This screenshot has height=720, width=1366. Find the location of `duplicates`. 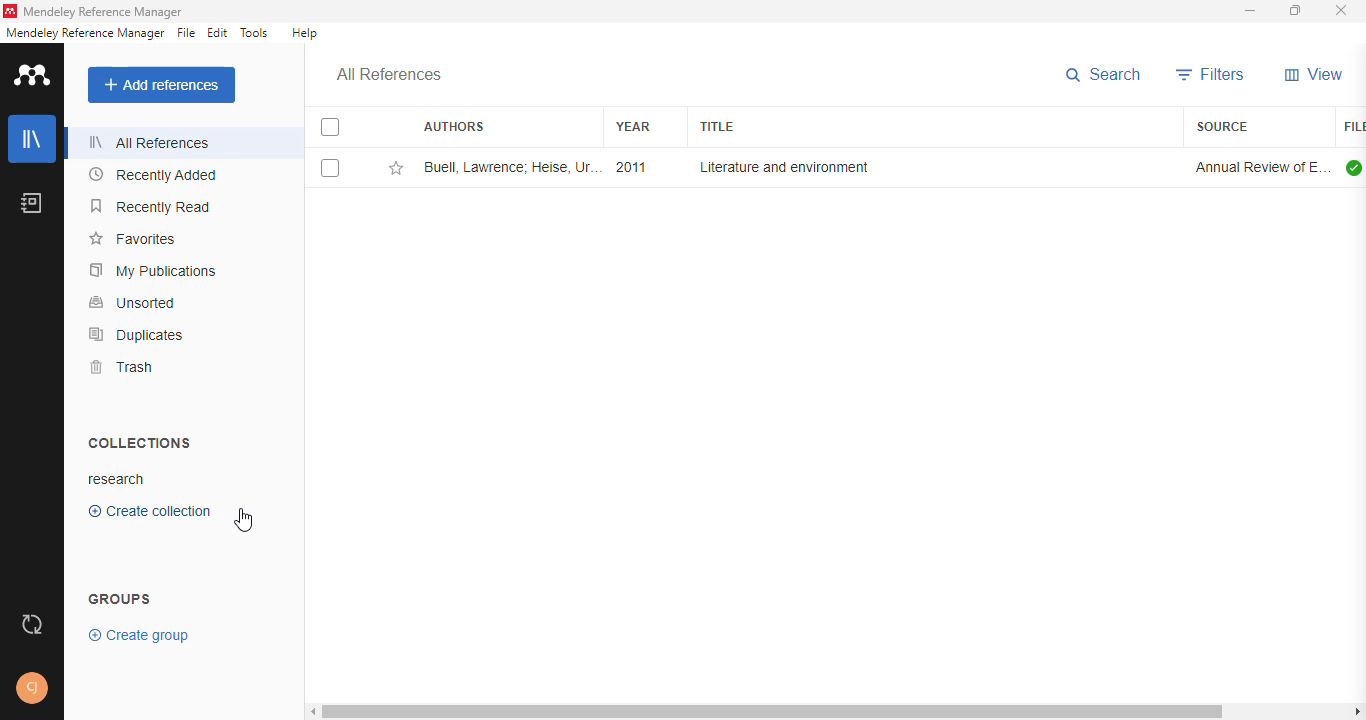

duplicates is located at coordinates (137, 335).